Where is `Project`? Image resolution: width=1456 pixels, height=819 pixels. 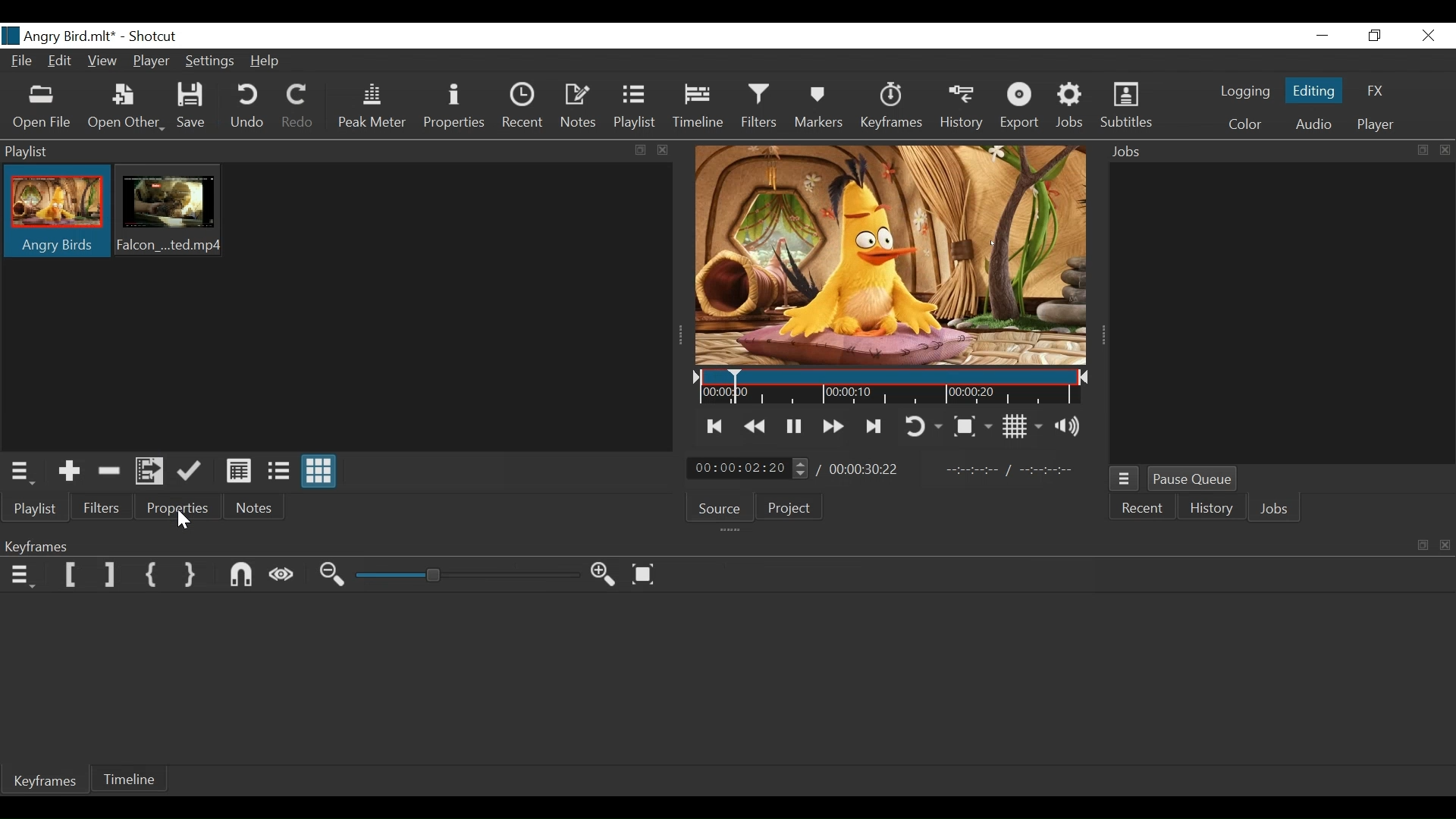 Project is located at coordinates (792, 510).